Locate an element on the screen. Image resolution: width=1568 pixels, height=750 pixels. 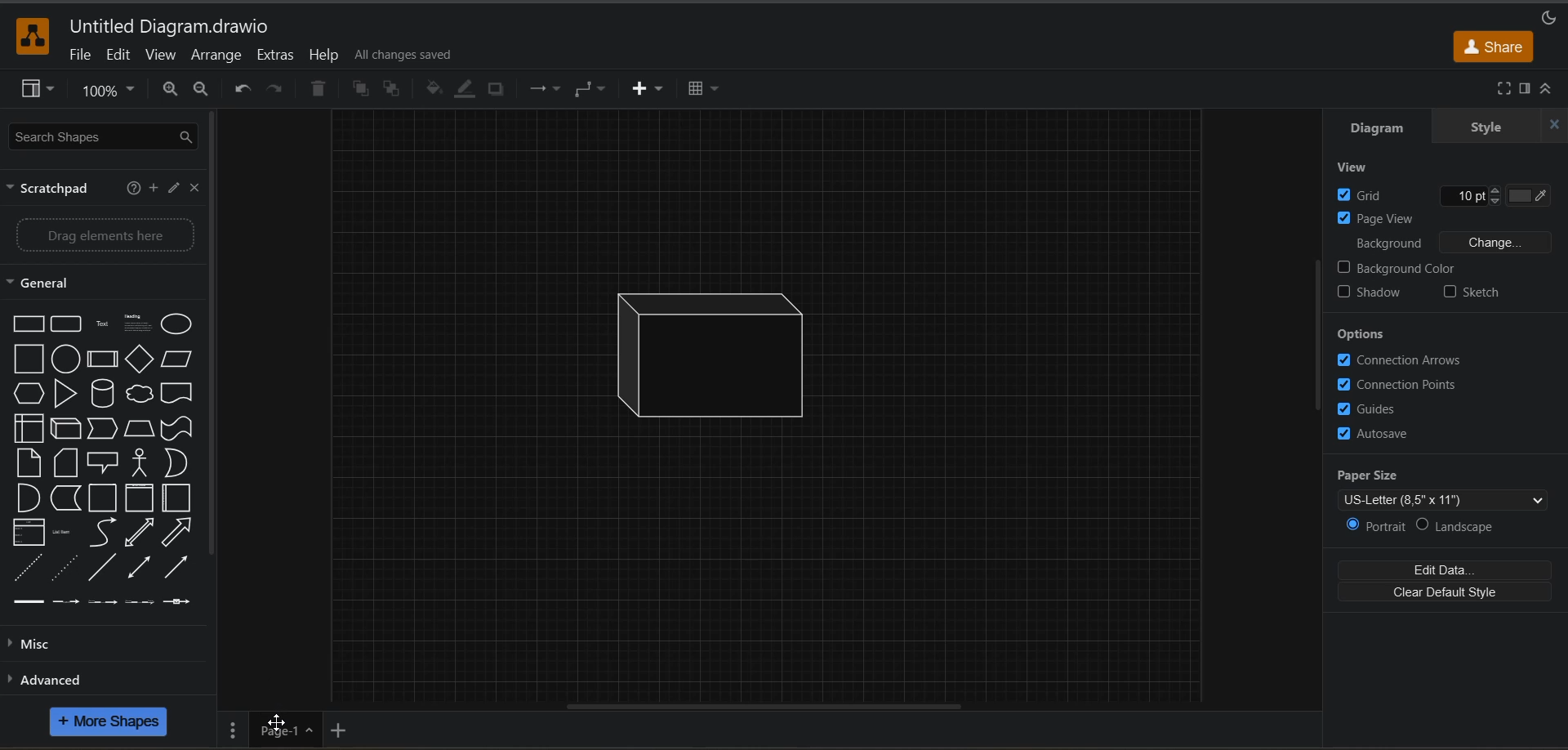
page 1 is located at coordinates (285, 732).